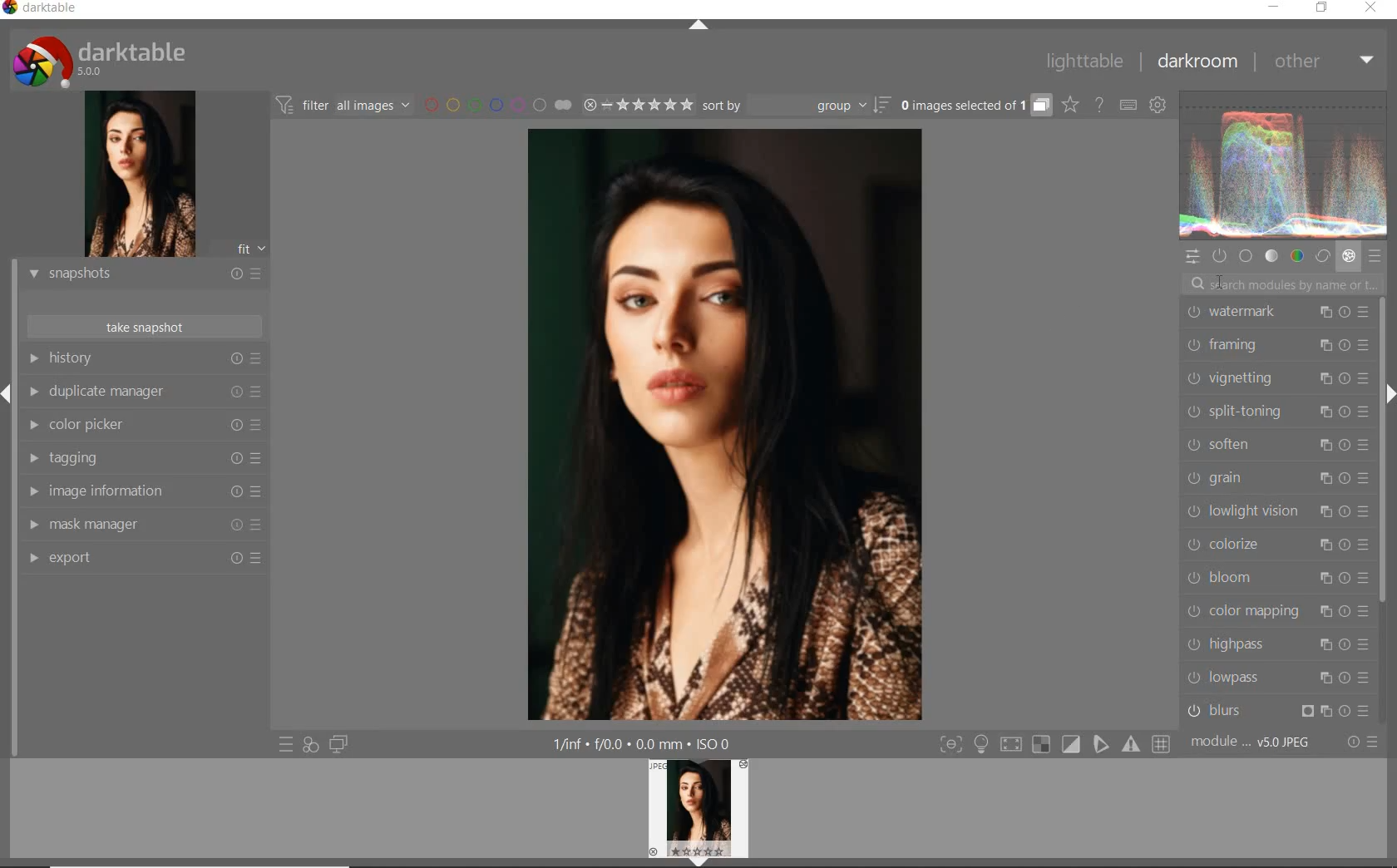 The width and height of the screenshot is (1397, 868). Describe the element at coordinates (1278, 676) in the screenshot. I see `lowpass` at that location.